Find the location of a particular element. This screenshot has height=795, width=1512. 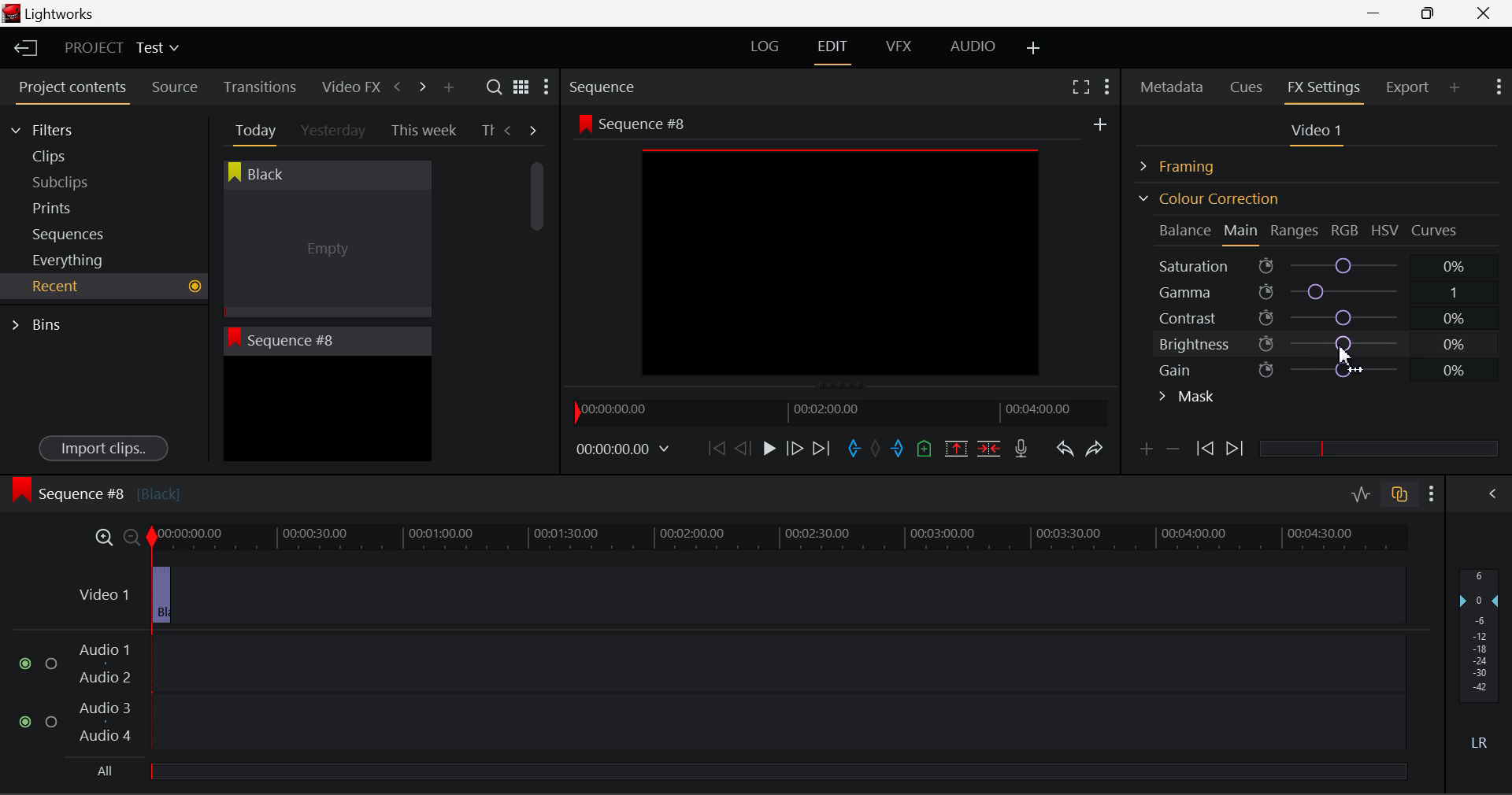

Filters is located at coordinates (57, 128).